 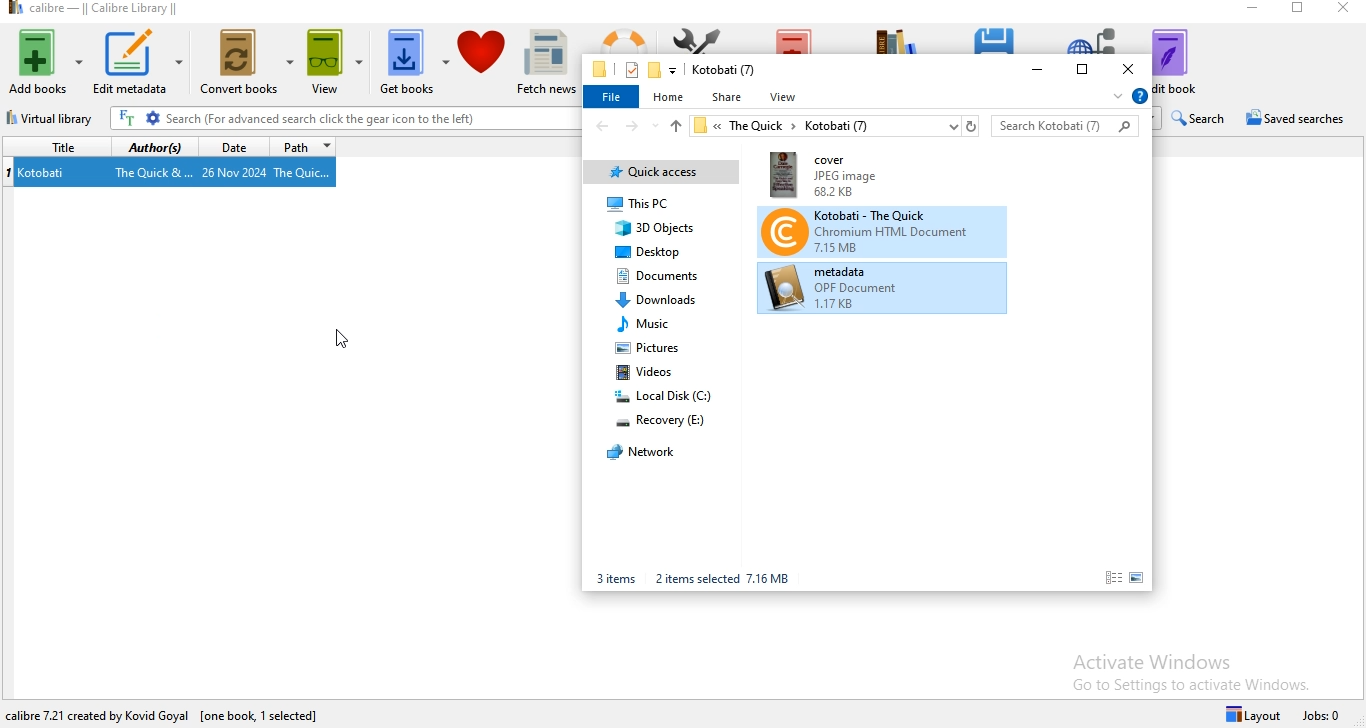 What do you see at coordinates (1039, 69) in the screenshot?
I see `minimise` at bounding box center [1039, 69].